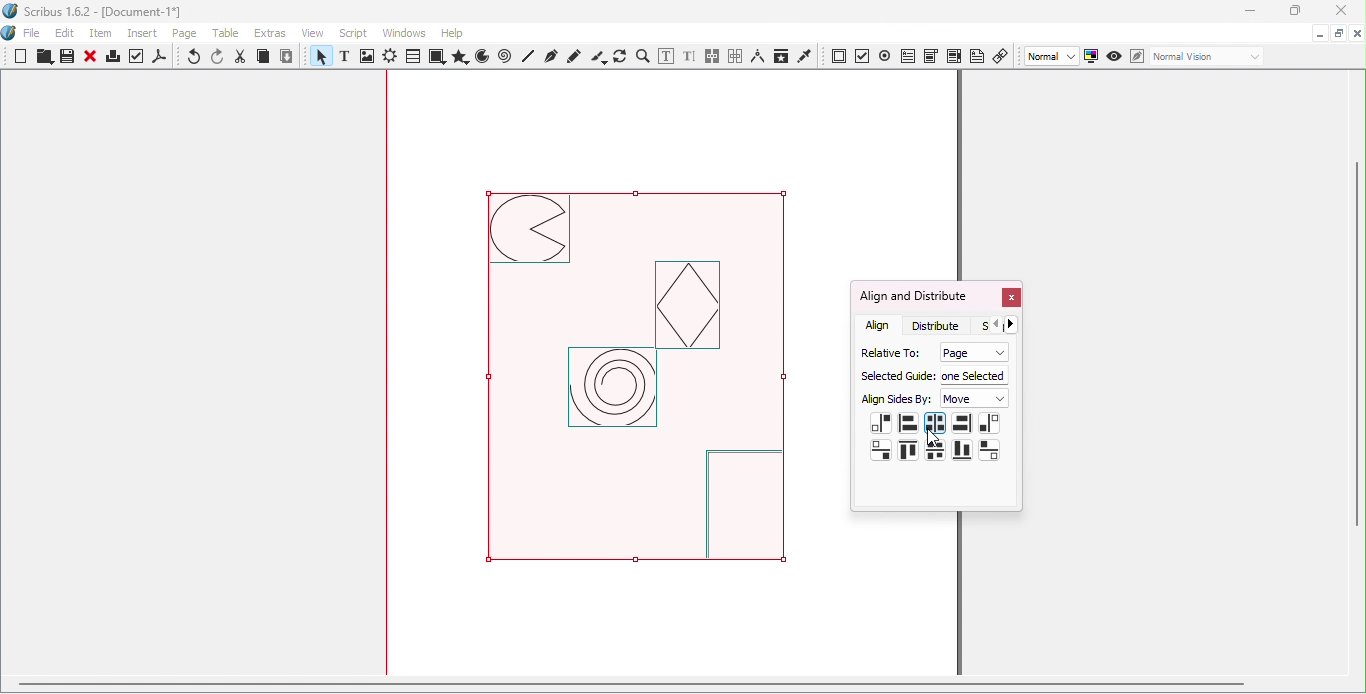  Describe the element at coordinates (620, 56) in the screenshot. I see `Rotate item` at that location.